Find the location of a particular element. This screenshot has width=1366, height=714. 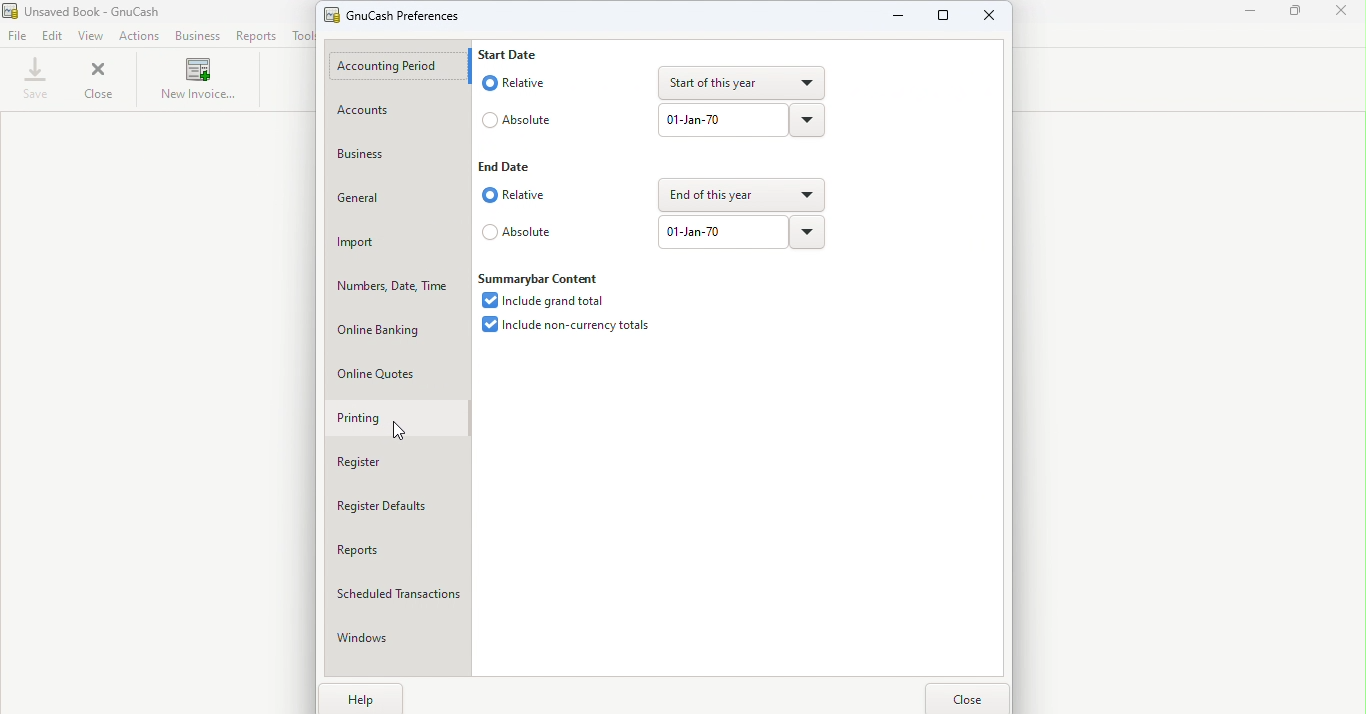

Numbers, Date, Time is located at coordinates (398, 284).